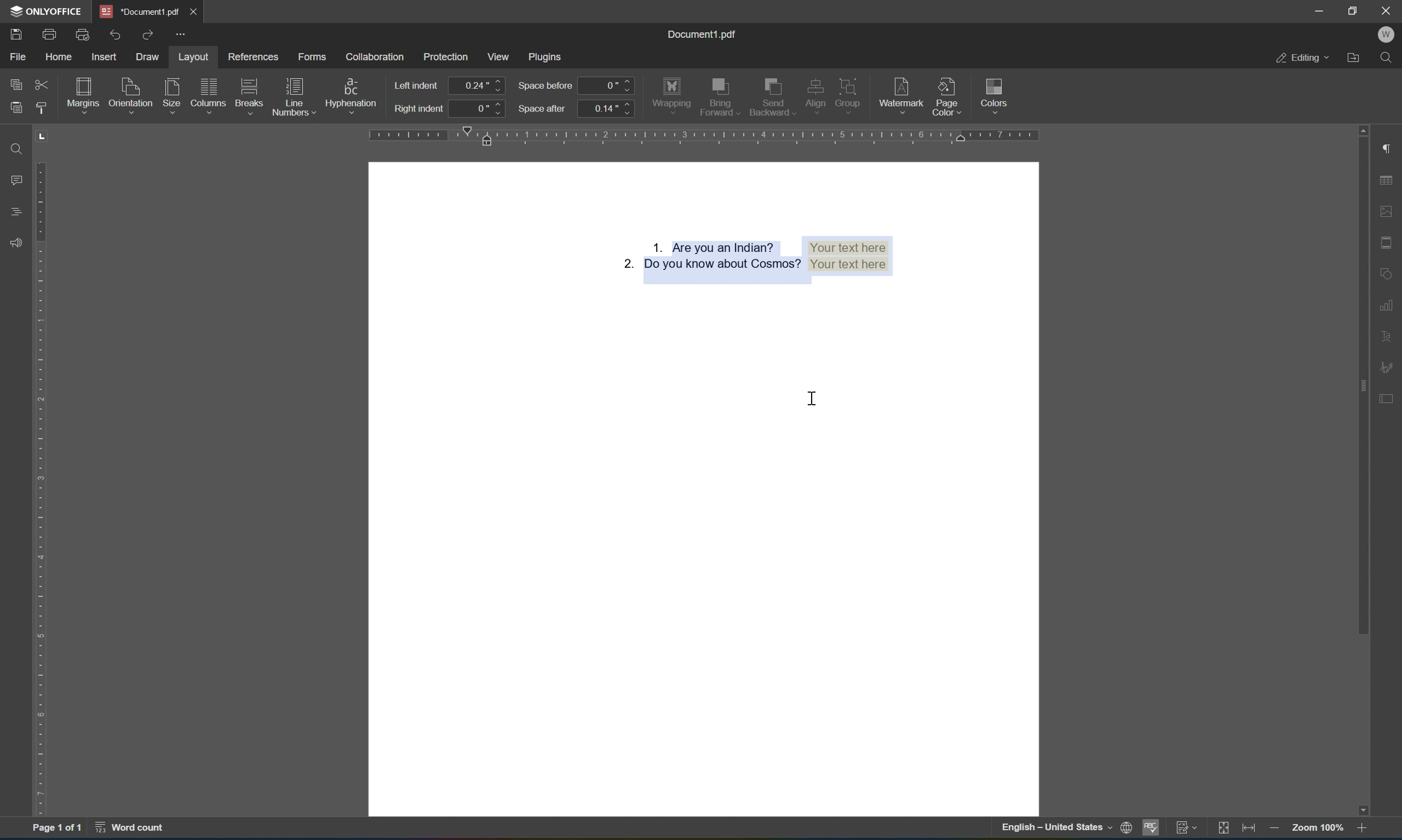 Image resolution: width=1402 pixels, height=840 pixels. I want to click on undo, so click(119, 34).